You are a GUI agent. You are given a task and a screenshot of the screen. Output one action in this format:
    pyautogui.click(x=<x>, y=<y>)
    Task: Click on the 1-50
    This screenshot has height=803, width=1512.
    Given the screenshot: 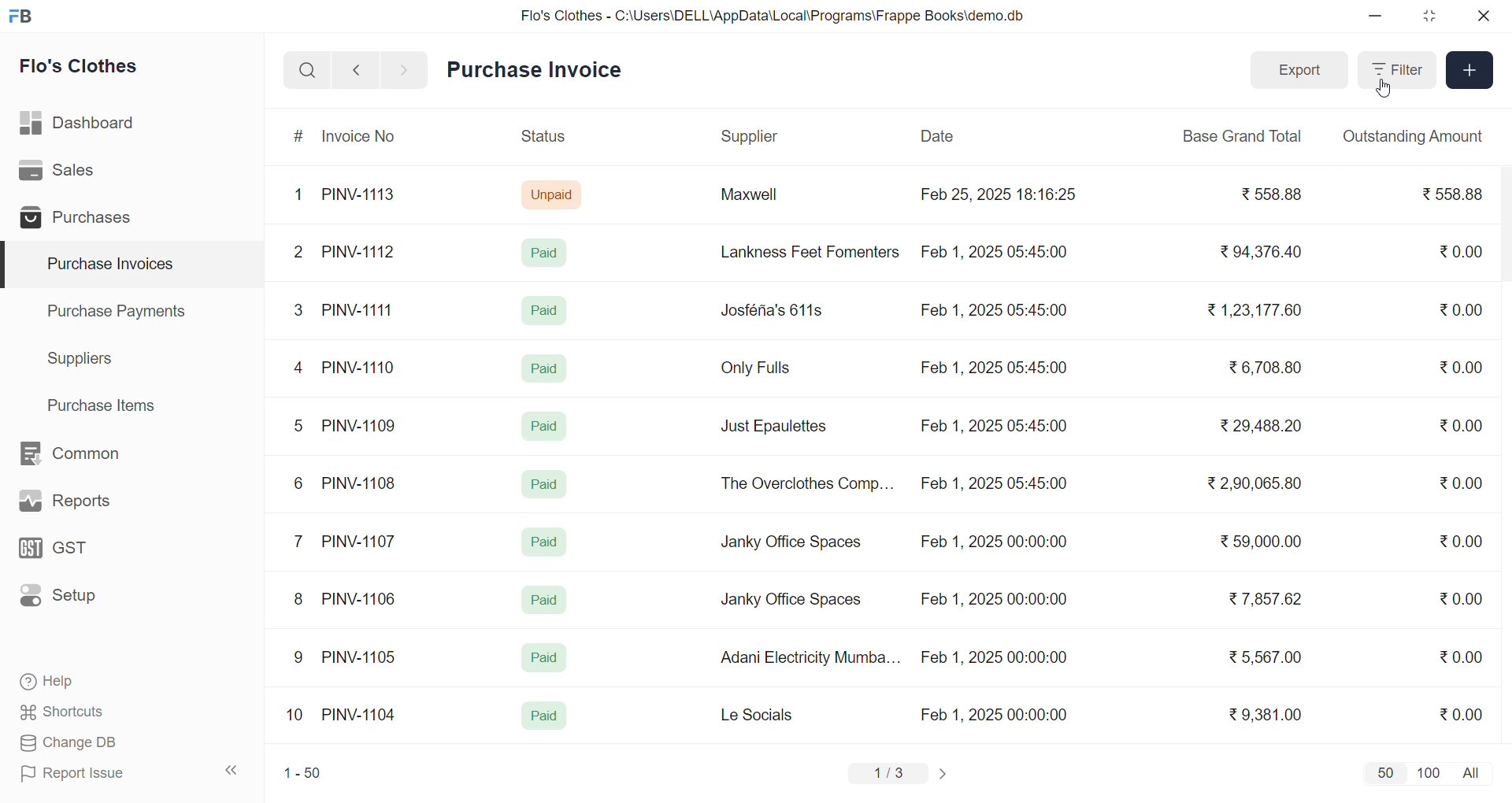 What is the action you would take?
    pyautogui.click(x=302, y=775)
    